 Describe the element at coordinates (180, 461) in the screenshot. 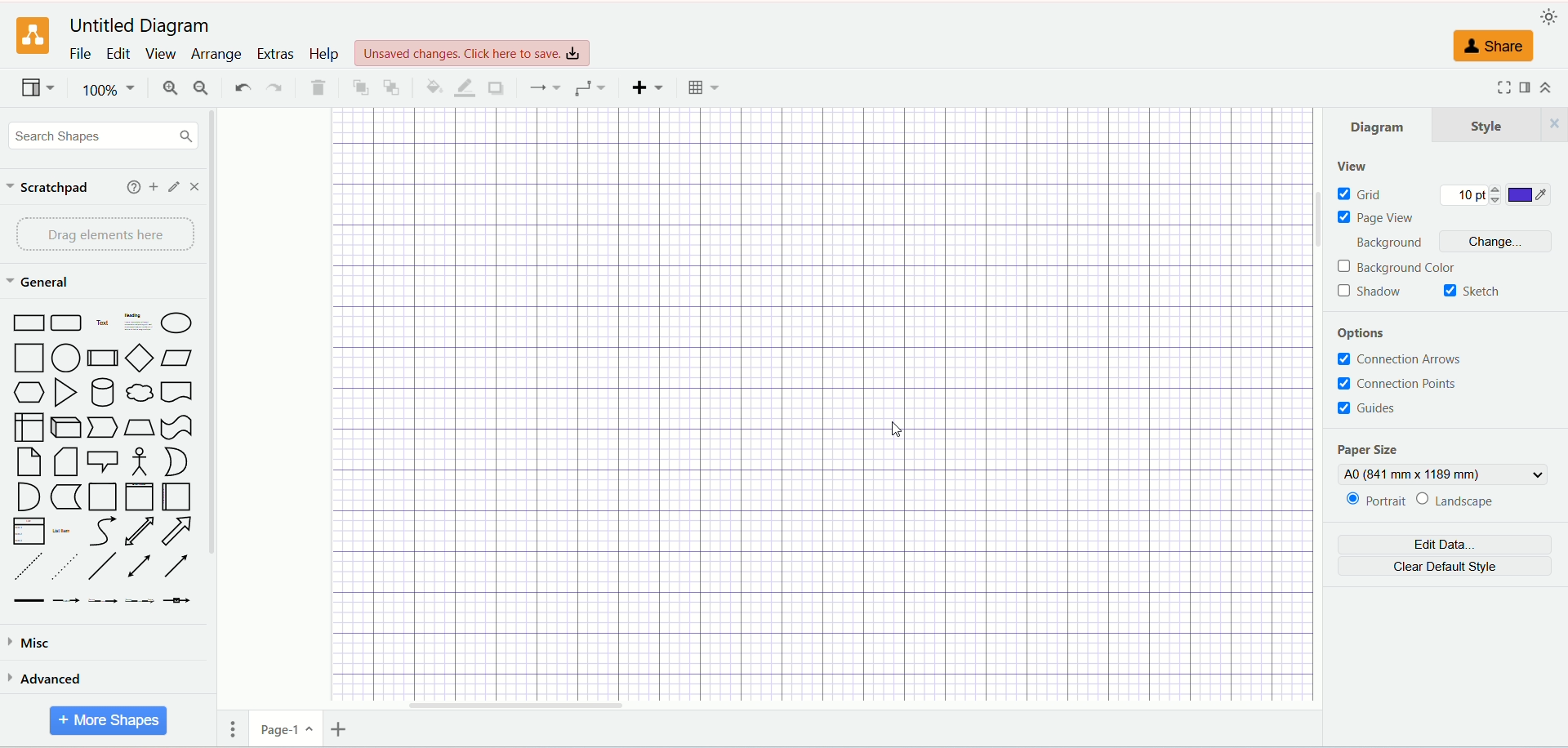

I see `Or` at that location.